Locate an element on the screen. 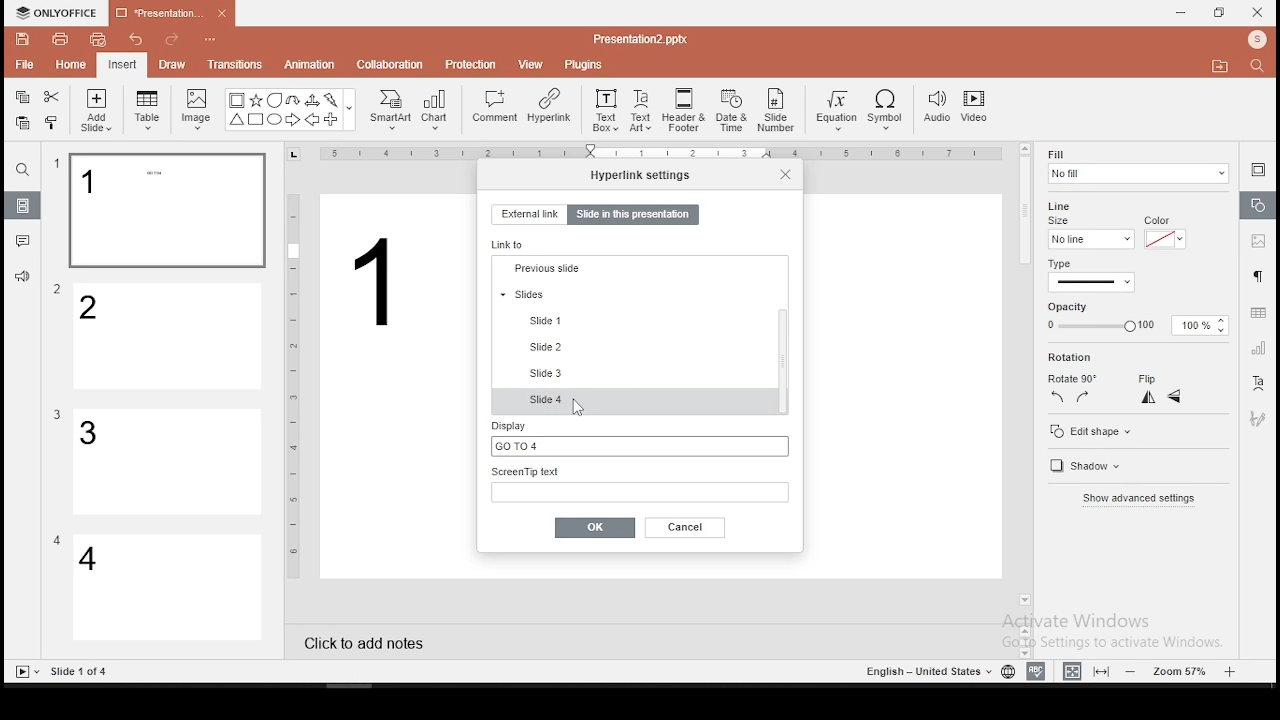  Search is located at coordinates (1263, 67).